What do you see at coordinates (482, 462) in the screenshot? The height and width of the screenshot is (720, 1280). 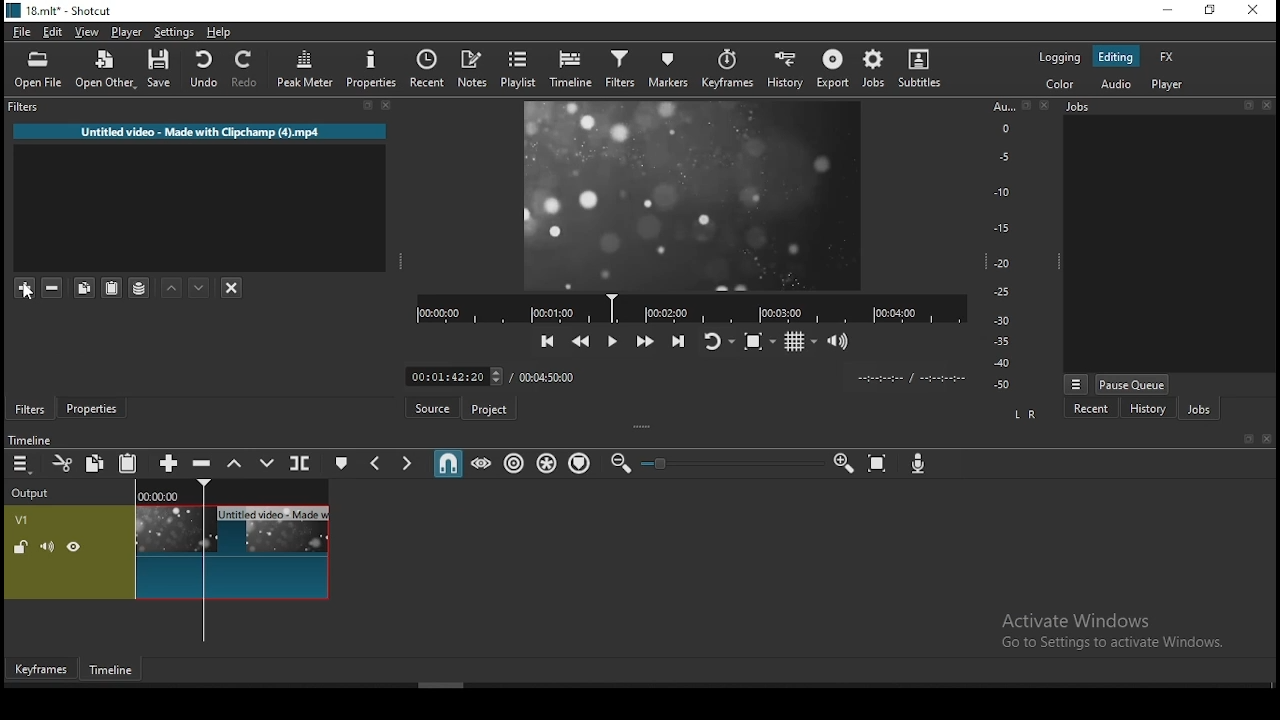 I see `scrub while dragging` at bounding box center [482, 462].